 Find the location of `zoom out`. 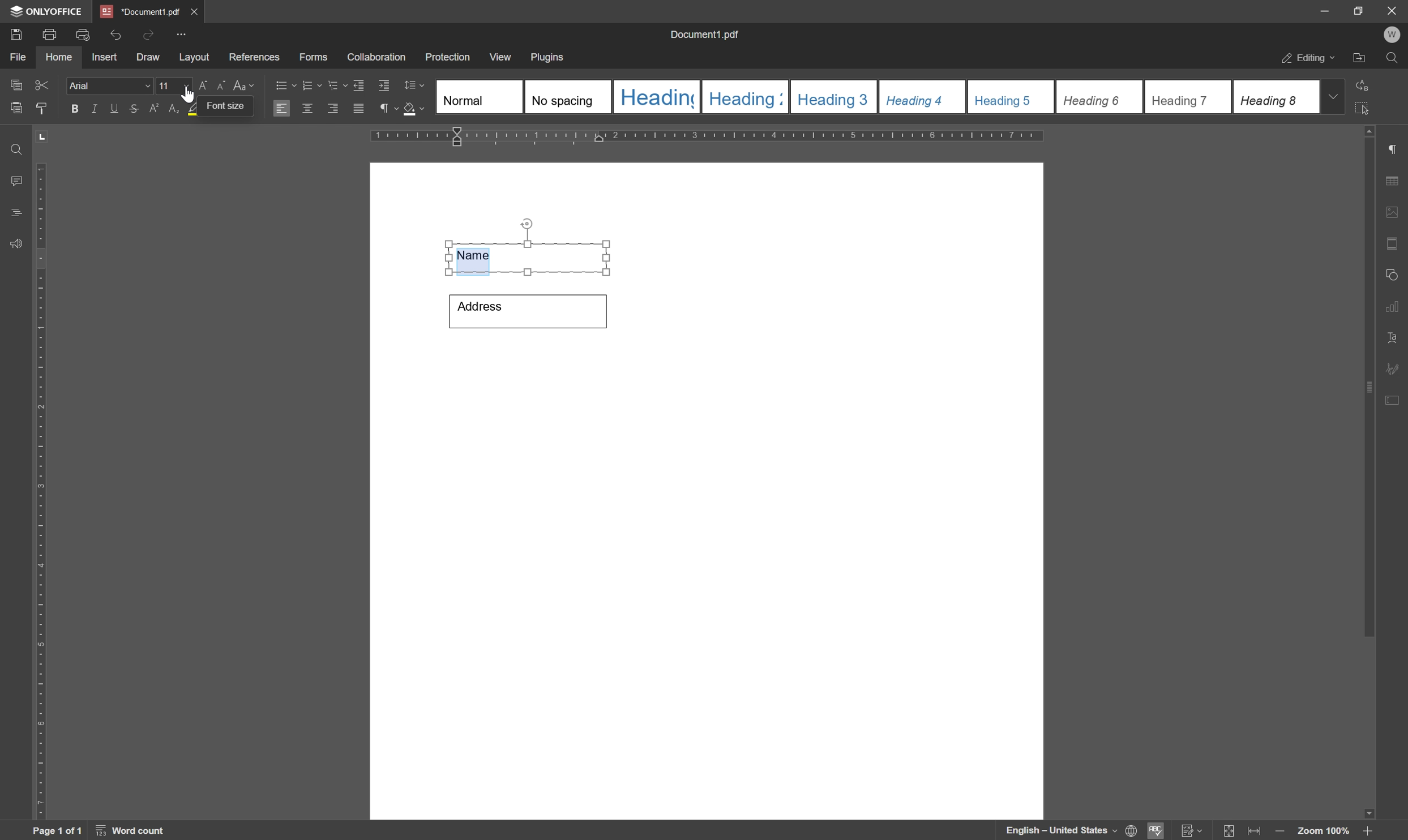

zoom out is located at coordinates (1282, 832).